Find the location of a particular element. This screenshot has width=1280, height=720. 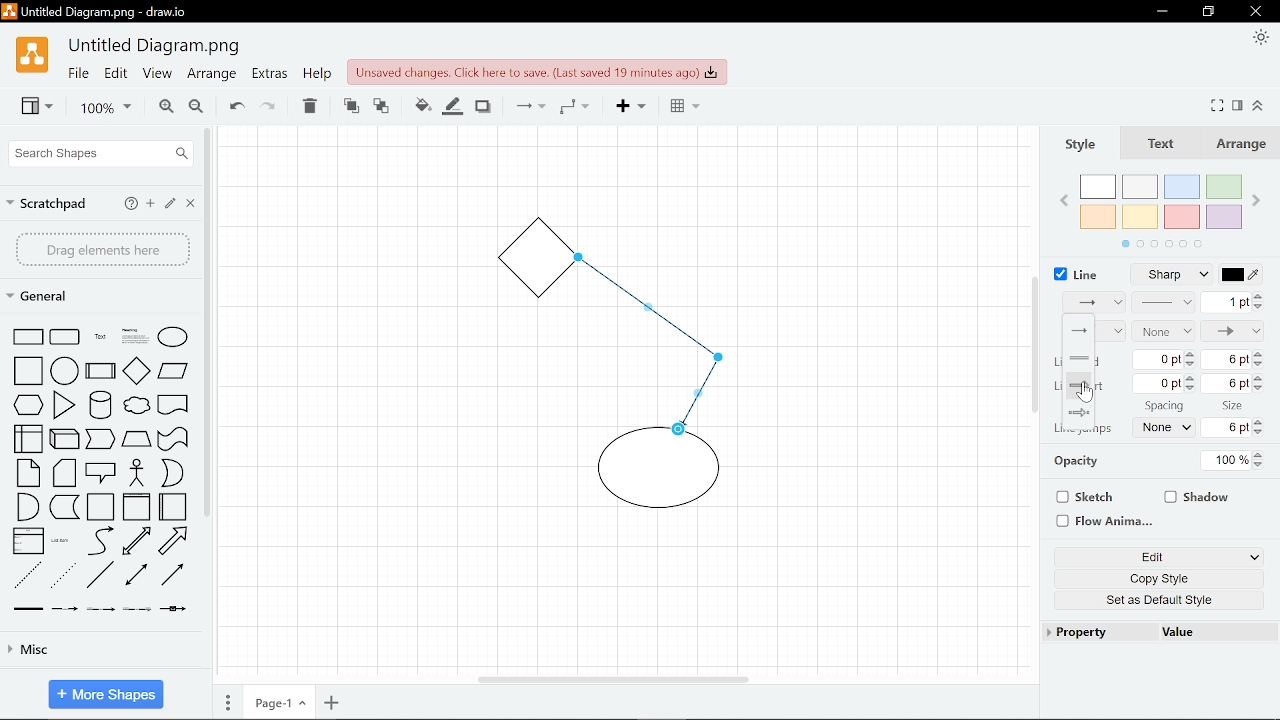

shape is located at coordinates (176, 577).